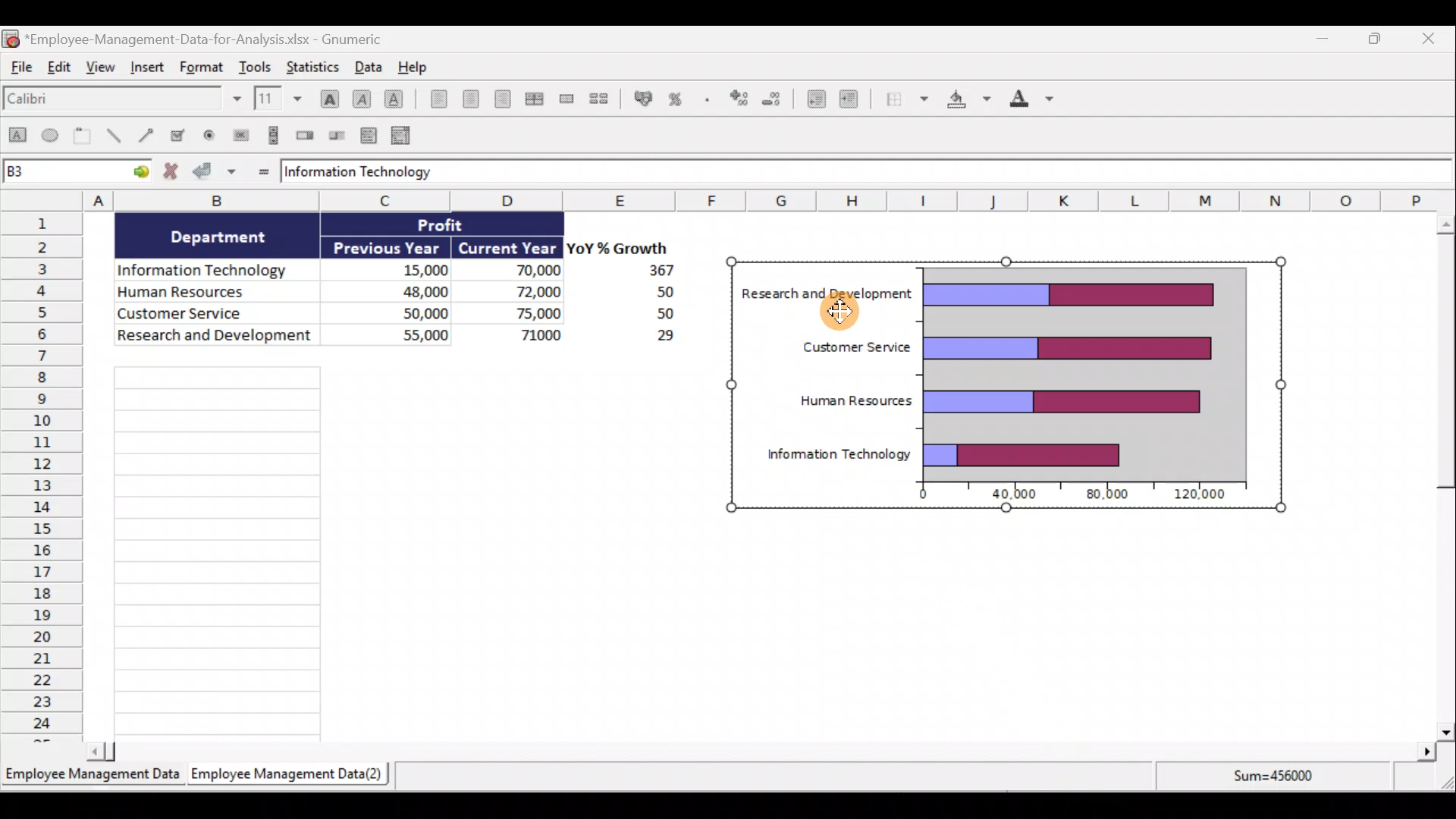 This screenshot has width=1456, height=819. I want to click on Font size 11, so click(276, 98).